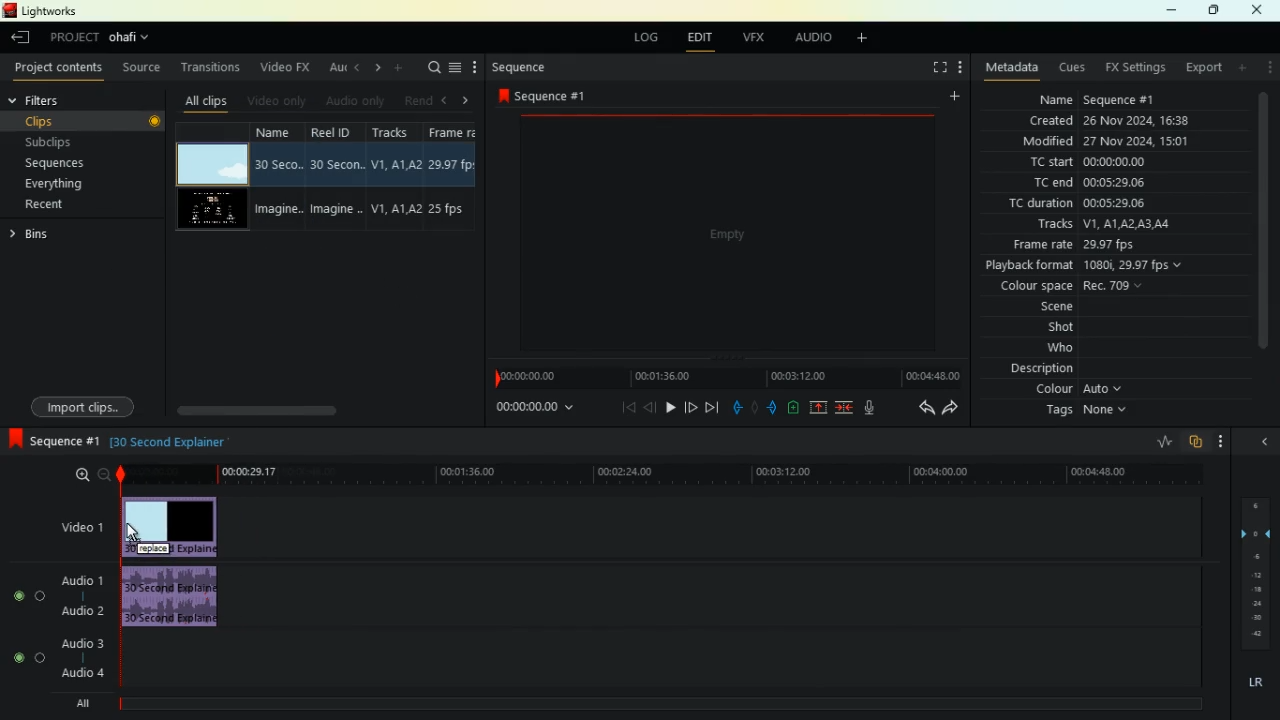 This screenshot has width=1280, height=720. I want to click on close, so click(1259, 10).